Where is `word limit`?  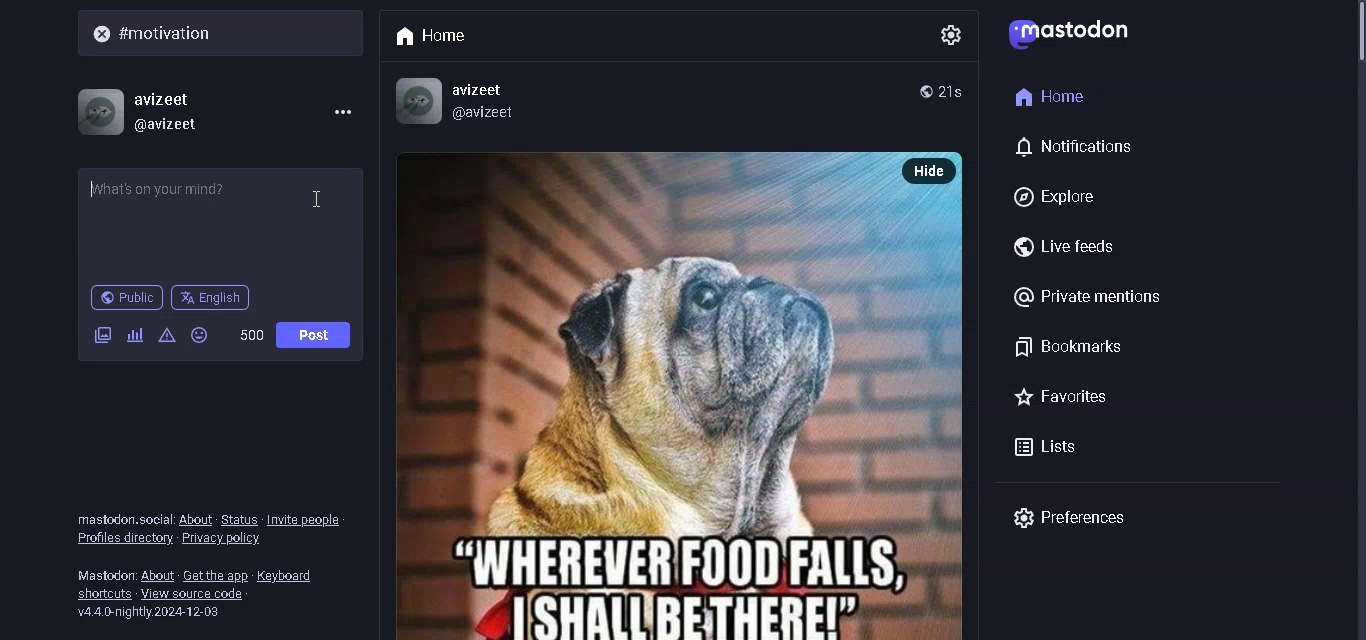
word limit is located at coordinates (251, 335).